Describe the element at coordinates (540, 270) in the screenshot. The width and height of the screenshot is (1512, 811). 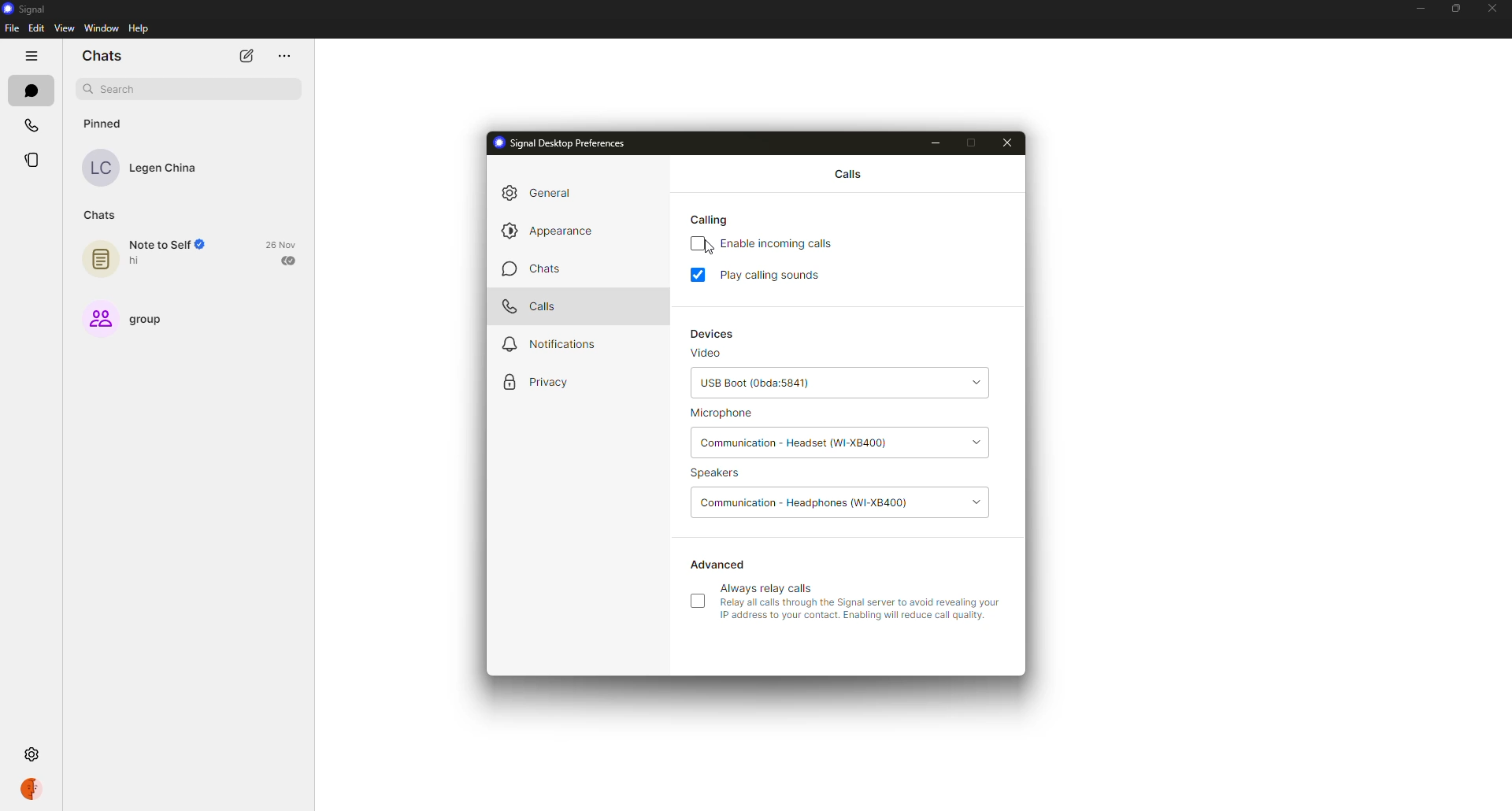
I see `chats` at that location.